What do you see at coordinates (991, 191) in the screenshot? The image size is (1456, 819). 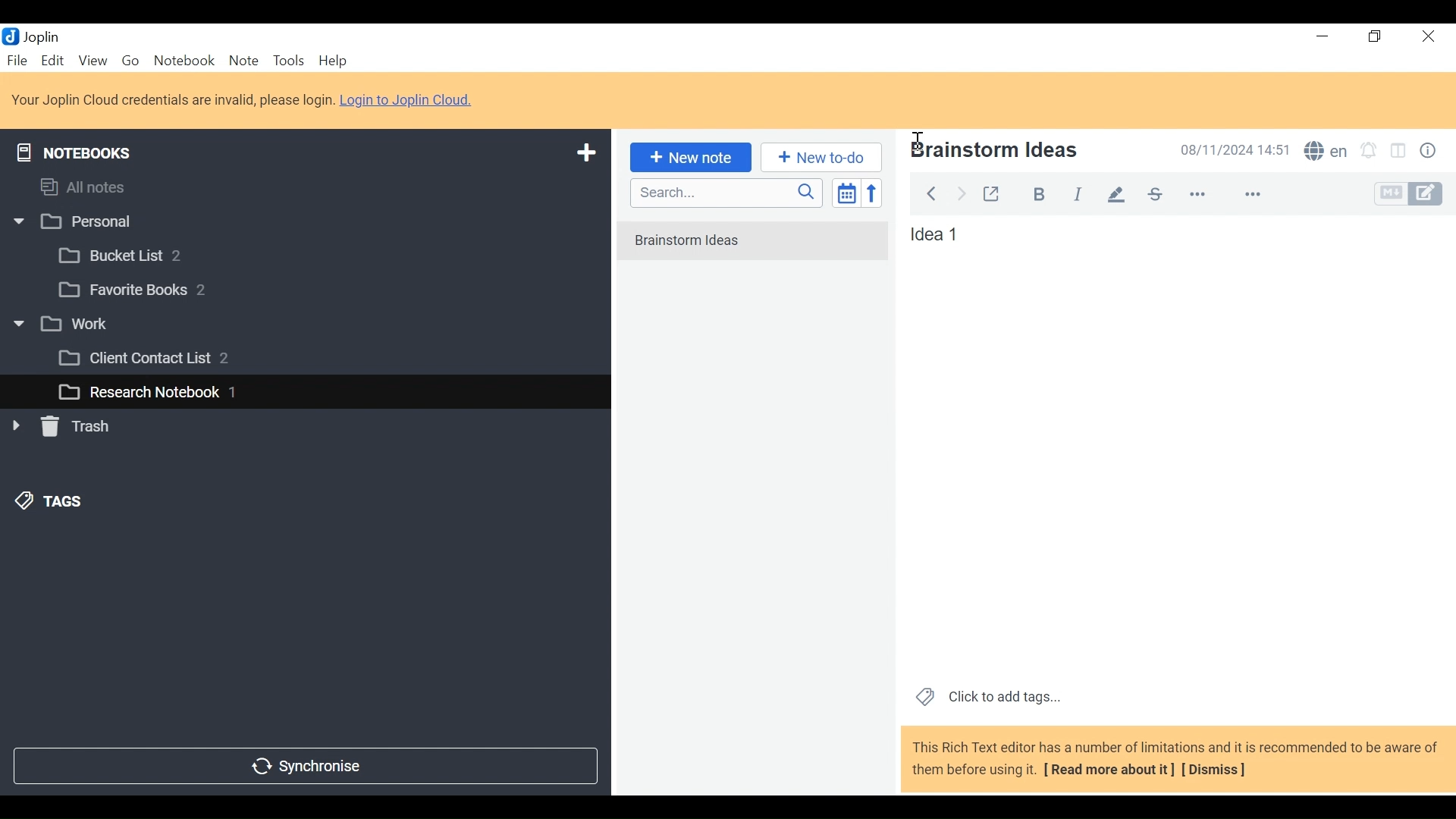 I see `Toggle external editing` at bounding box center [991, 191].